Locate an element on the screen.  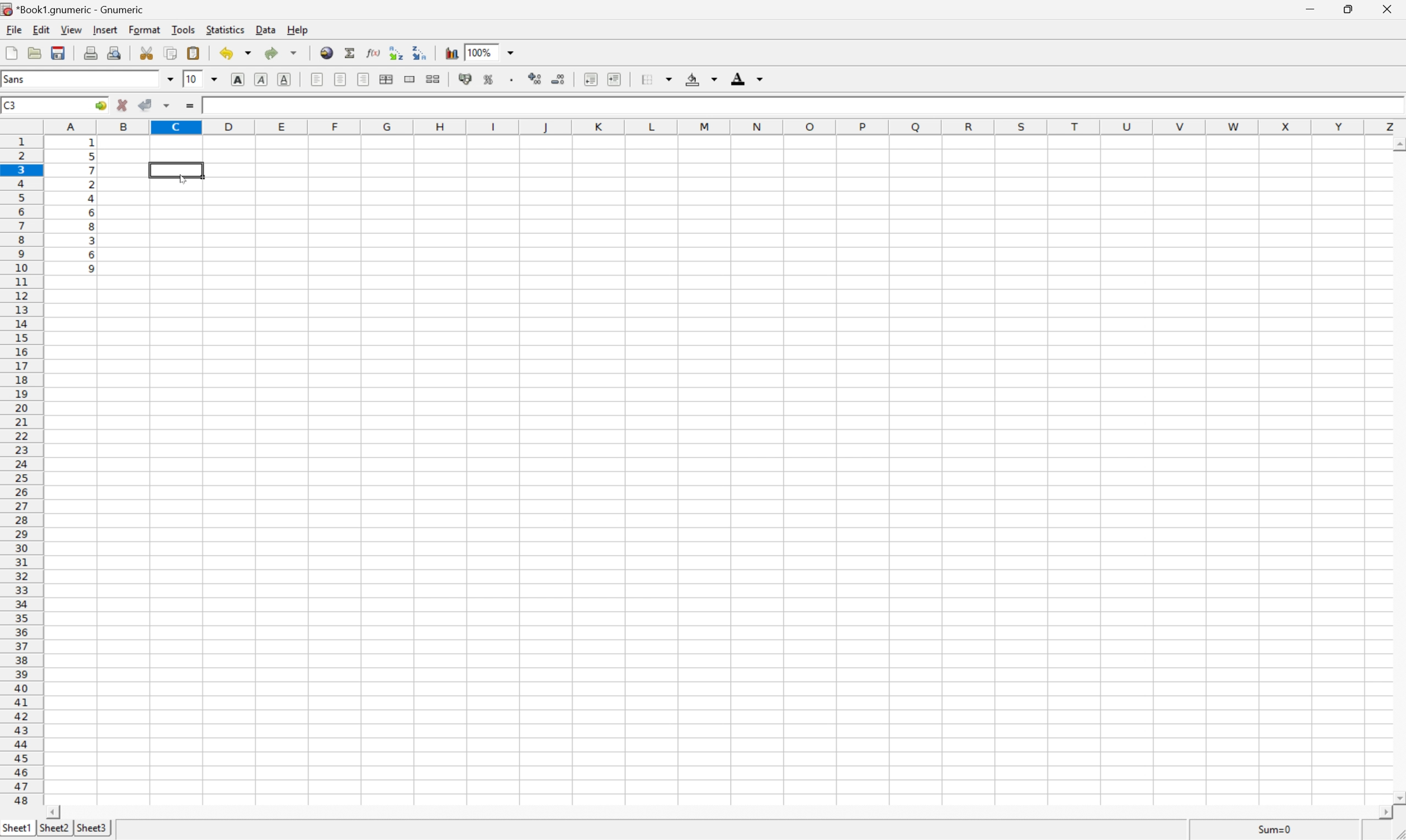
align left is located at coordinates (365, 80).